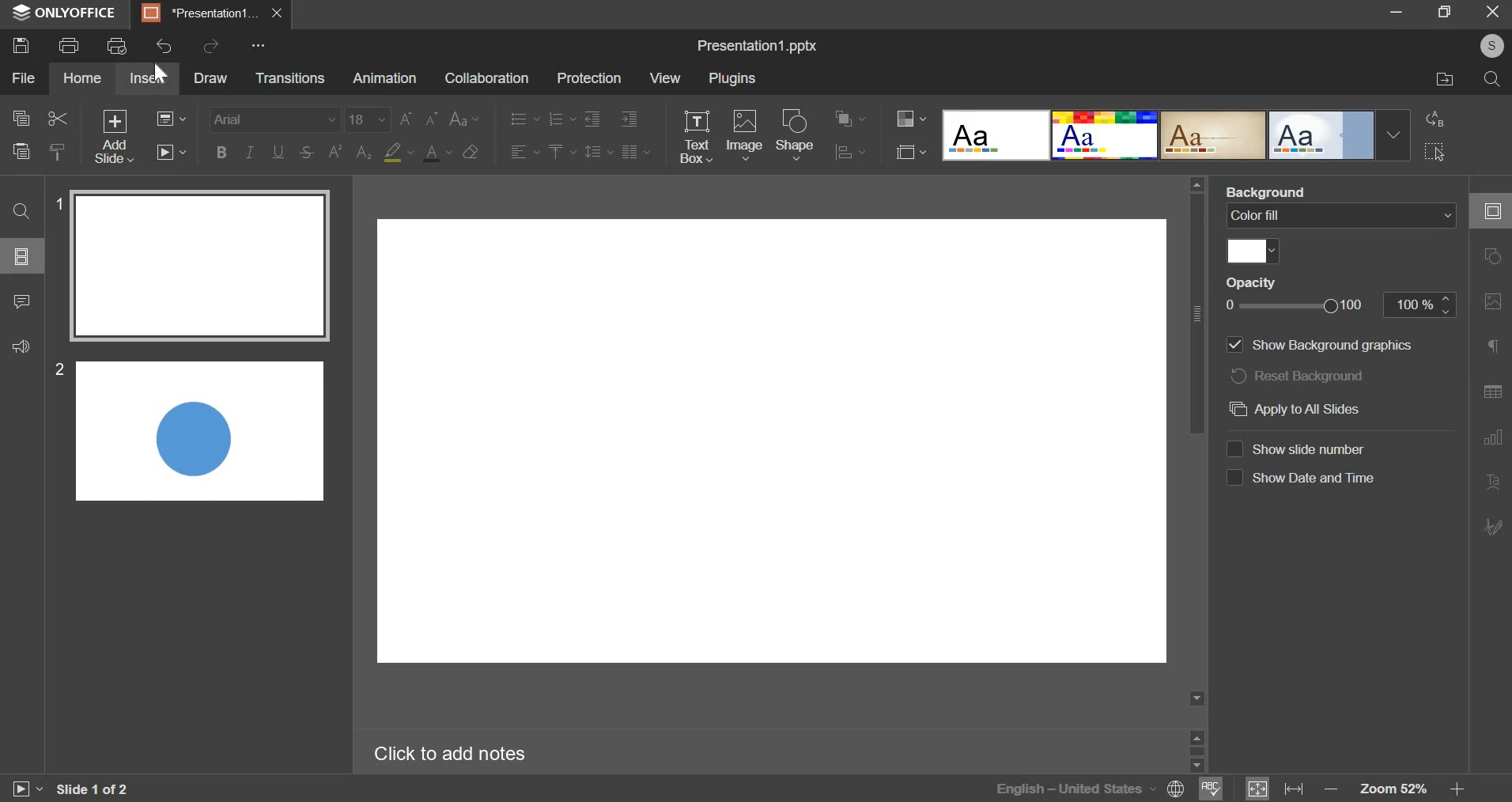 This screenshot has width=1512, height=802. Describe the element at coordinates (397, 153) in the screenshot. I see `background color` at that location.